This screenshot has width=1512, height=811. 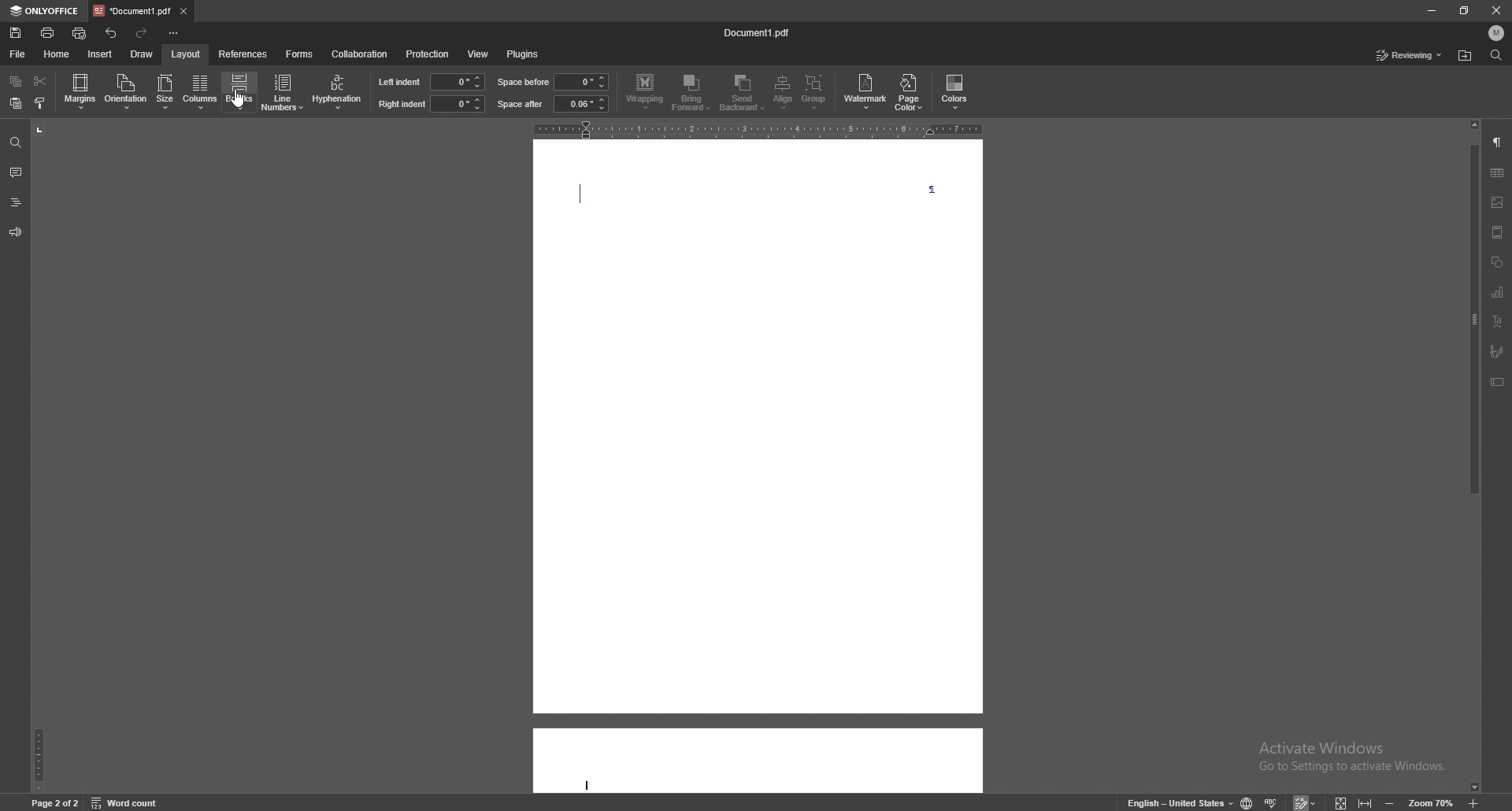 What do you see at coordinates (1388, 802) in the screenshot?
I see `Zoom out` at bounding box center [1388, 802].